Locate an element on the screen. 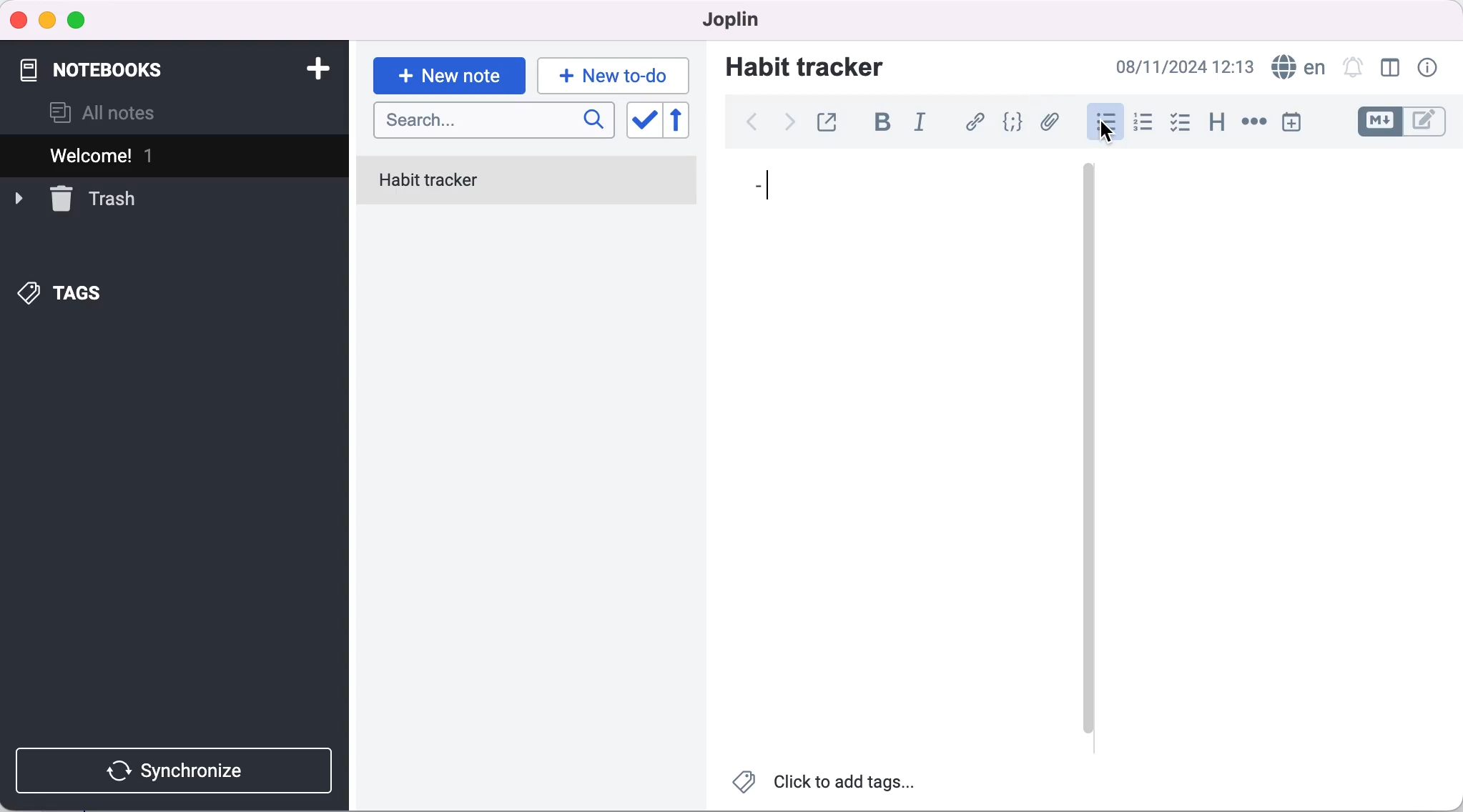  back is located at coordinates (751, 122).